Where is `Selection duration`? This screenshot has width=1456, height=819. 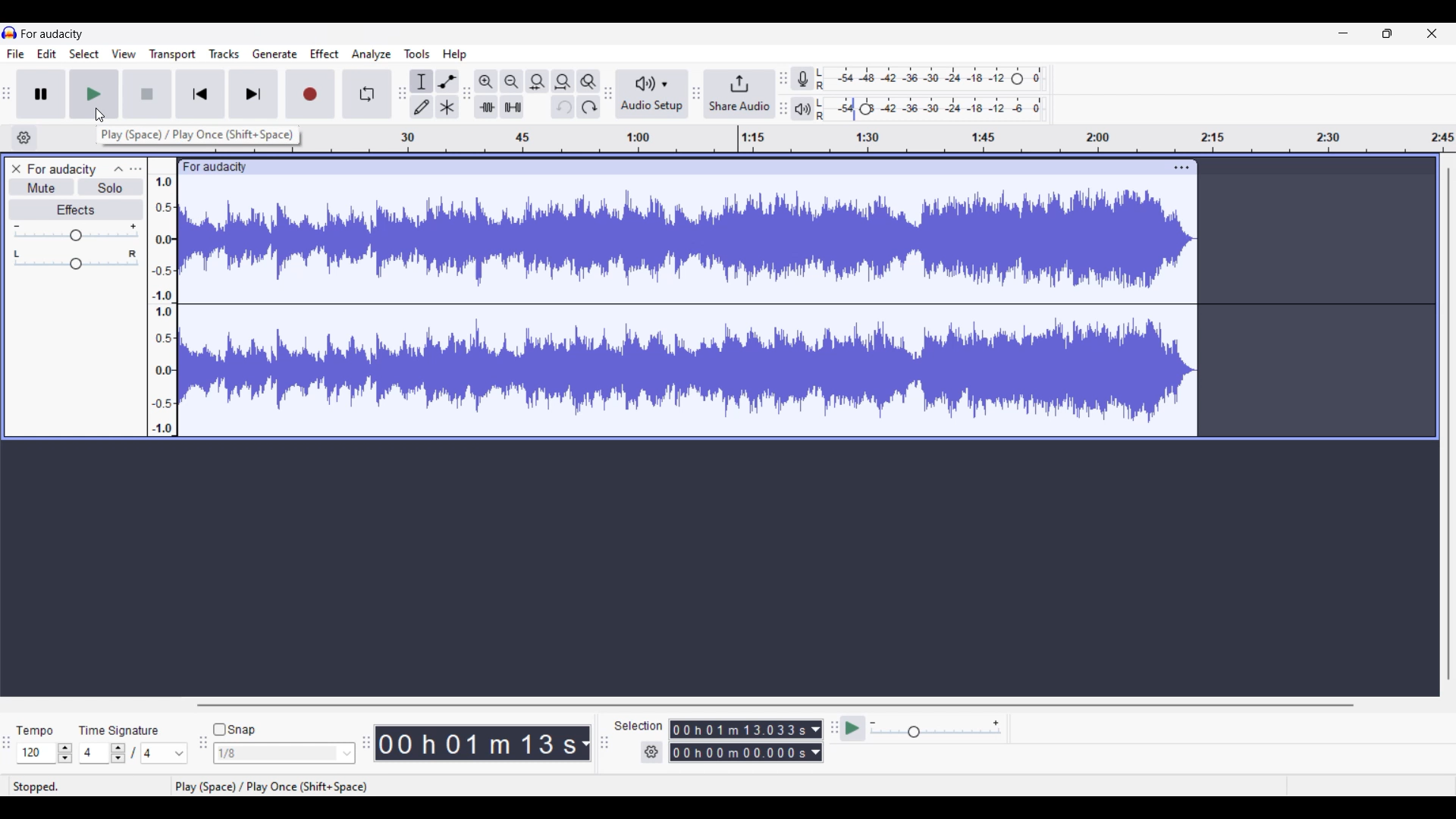
Selection duration is located at coordinates (738, 741).